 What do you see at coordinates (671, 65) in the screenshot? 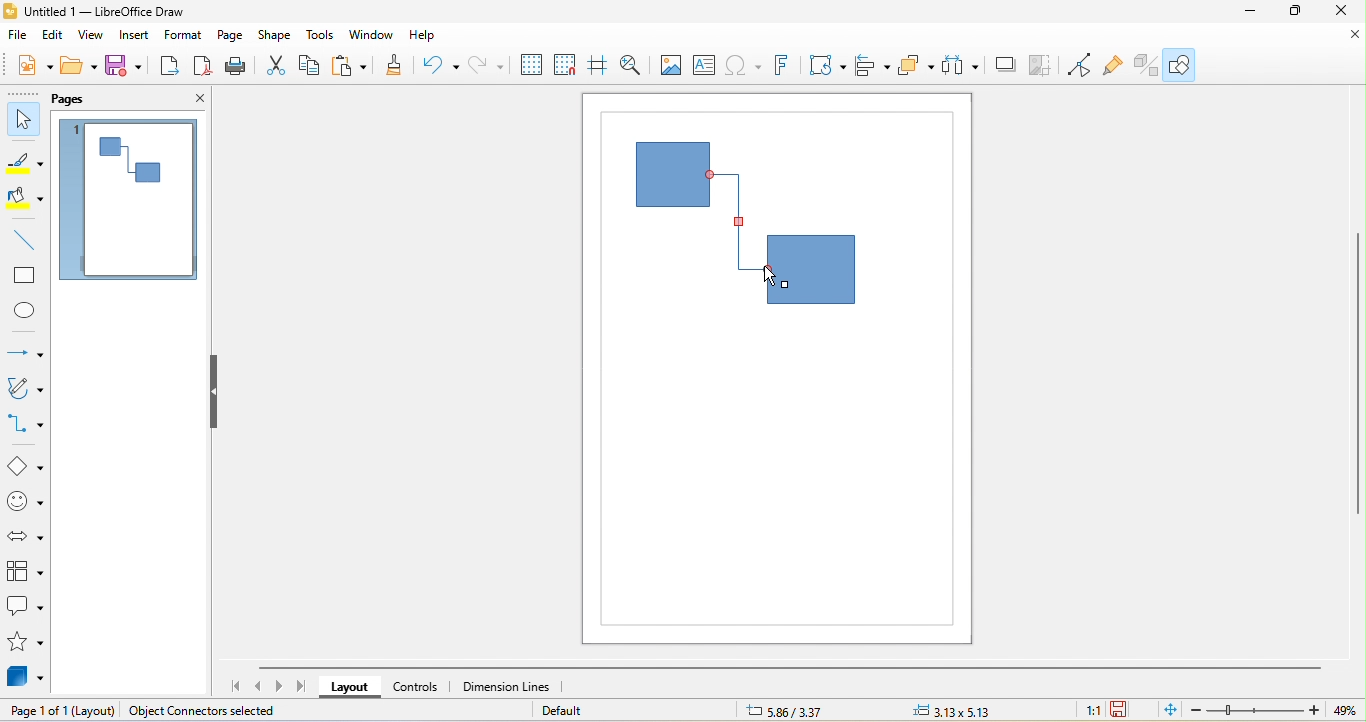
I see `image` at bounding box center [671, 65].